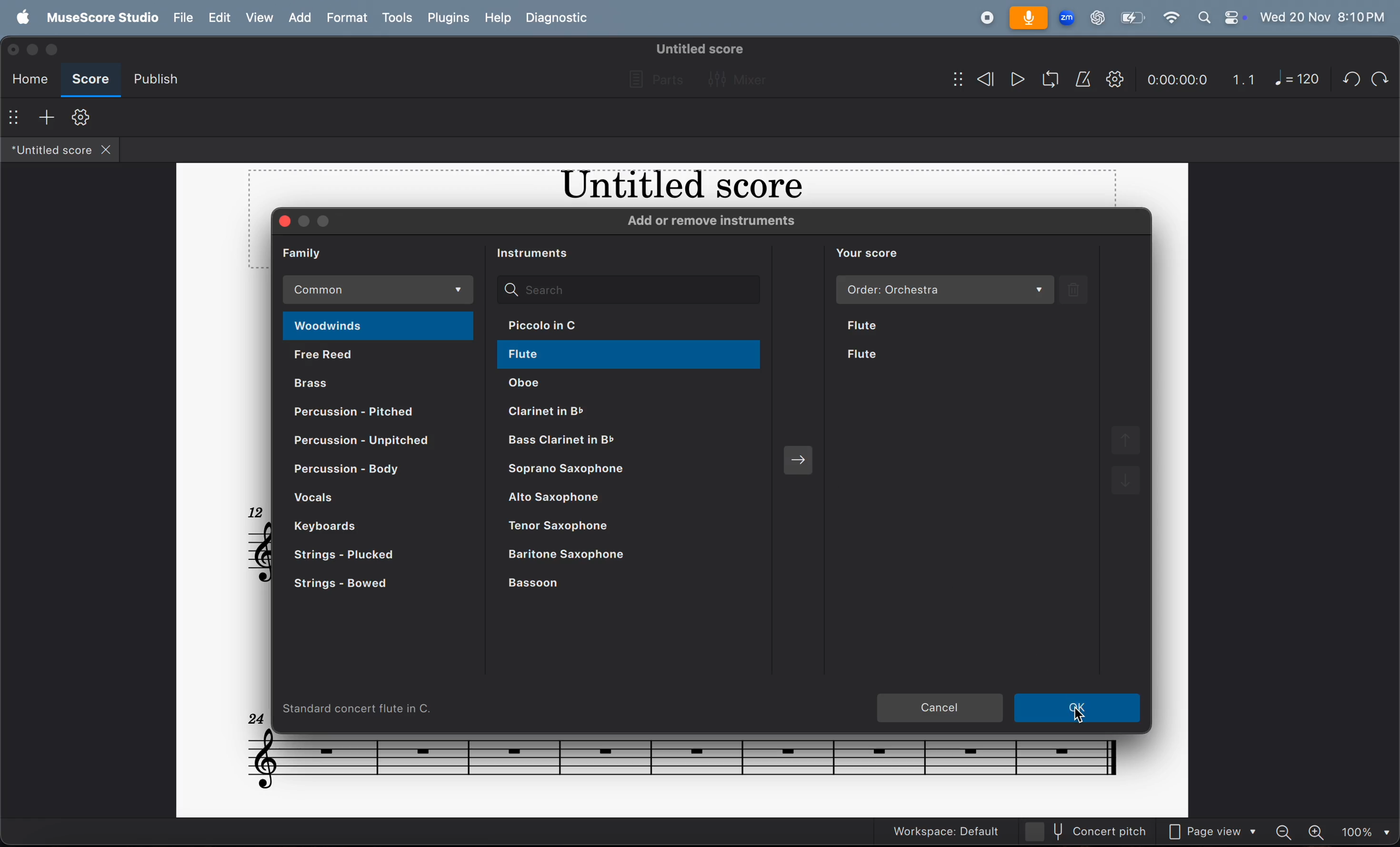 The width and height of the screenshot is (1400, 847). What do you see at coordinates (1080, 290) in the screenshot?
I see `delete` at bounding box center [1080, 290].